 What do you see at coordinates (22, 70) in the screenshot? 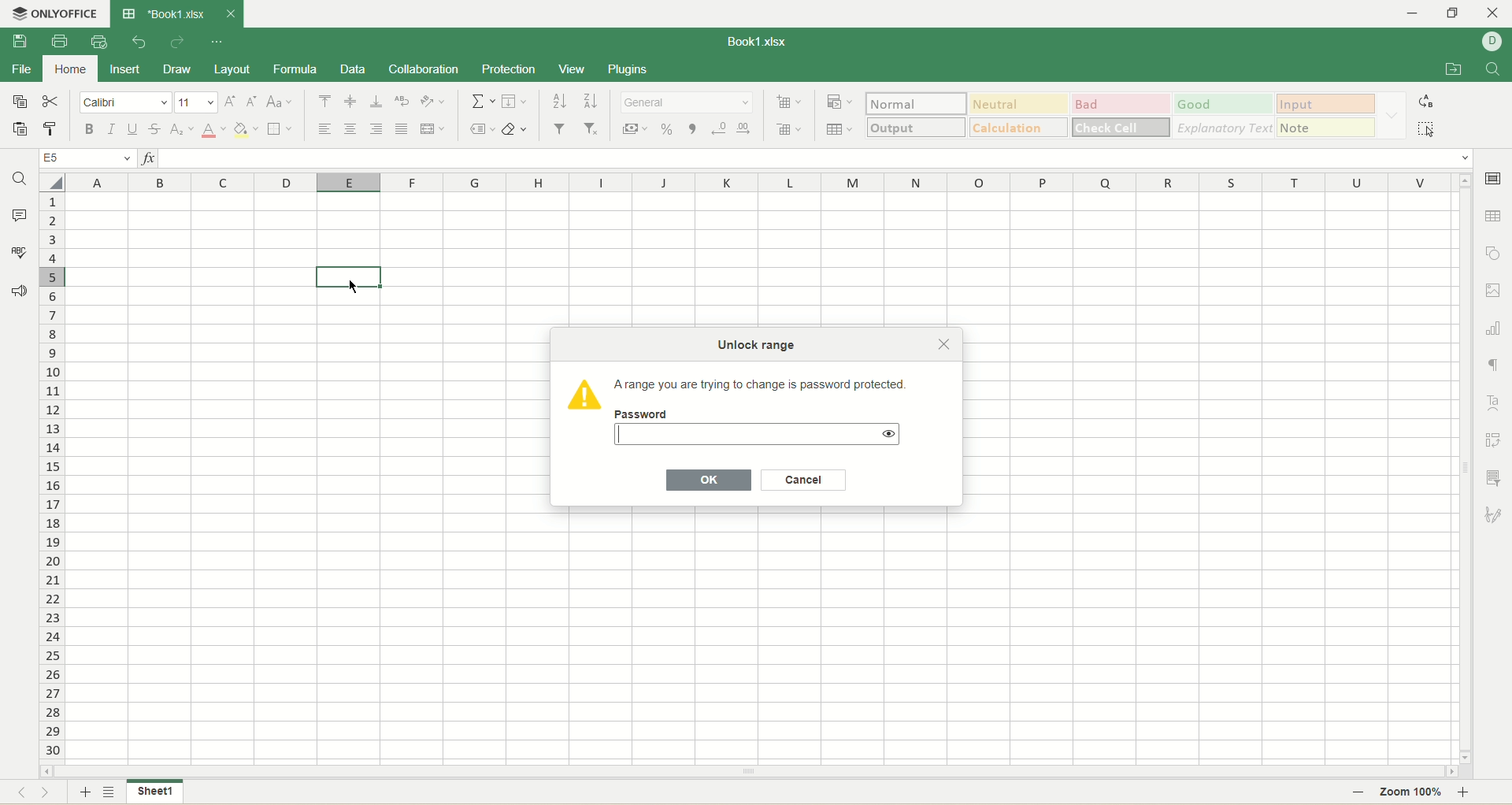
I see `file` at bounding box center [22, 70].